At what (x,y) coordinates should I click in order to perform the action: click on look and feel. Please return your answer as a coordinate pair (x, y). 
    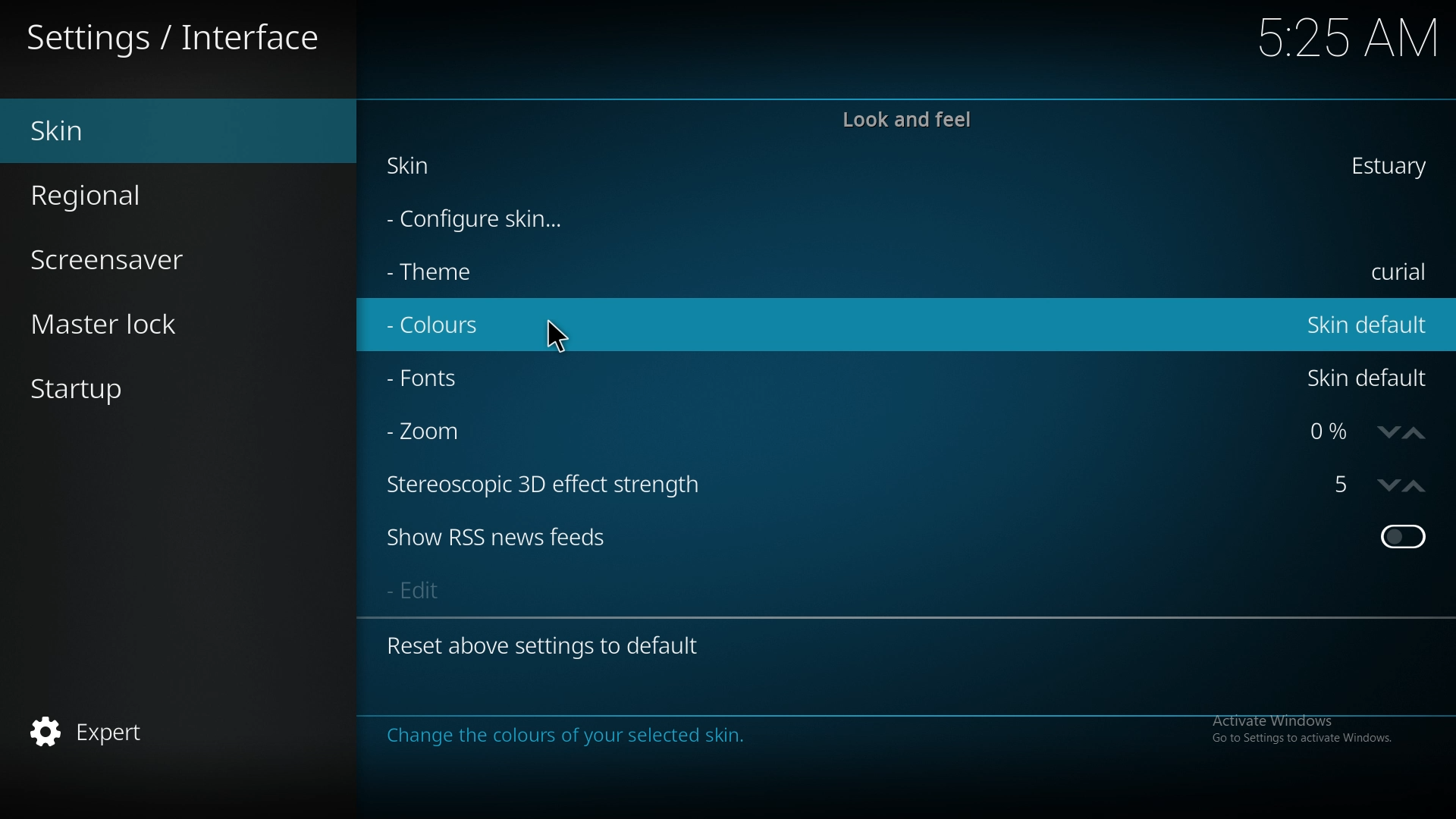
    Looking at the image, I should click on (911, 119).